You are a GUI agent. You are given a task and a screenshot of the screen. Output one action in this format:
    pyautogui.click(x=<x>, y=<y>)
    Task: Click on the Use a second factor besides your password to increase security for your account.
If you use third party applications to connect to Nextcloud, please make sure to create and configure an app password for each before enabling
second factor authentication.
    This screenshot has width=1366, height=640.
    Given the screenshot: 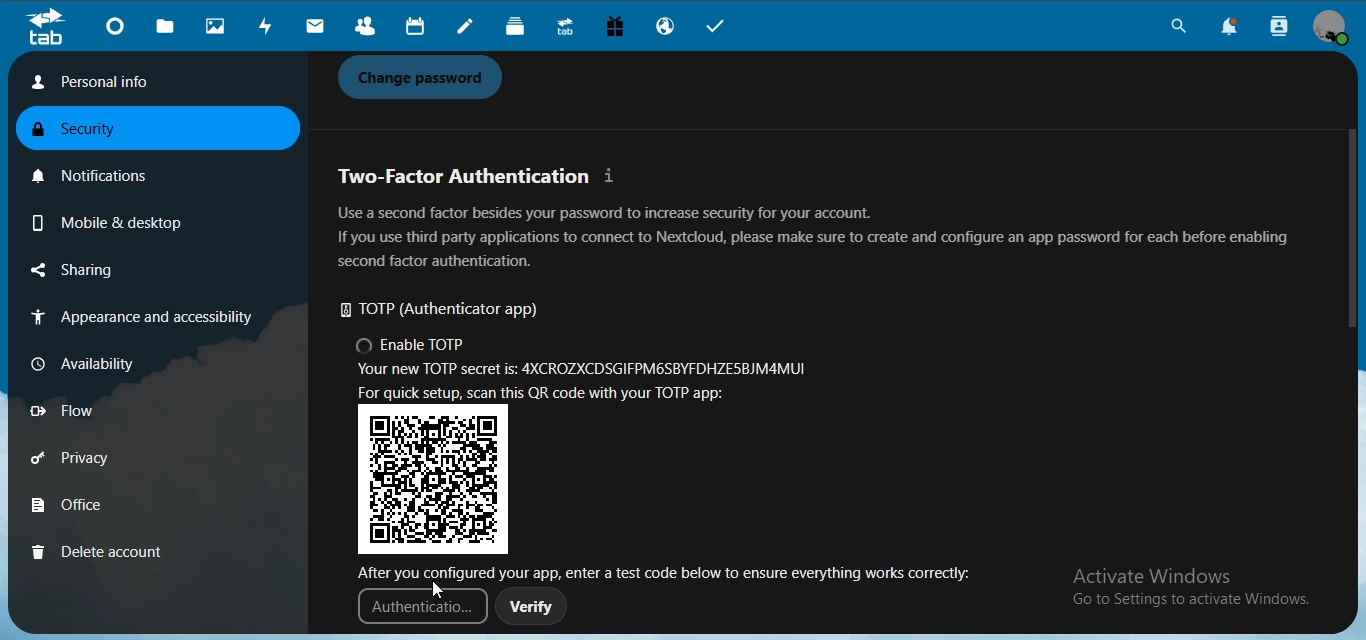 What is the action you would take?
    pyautogui.click(x=813, y=237)
    